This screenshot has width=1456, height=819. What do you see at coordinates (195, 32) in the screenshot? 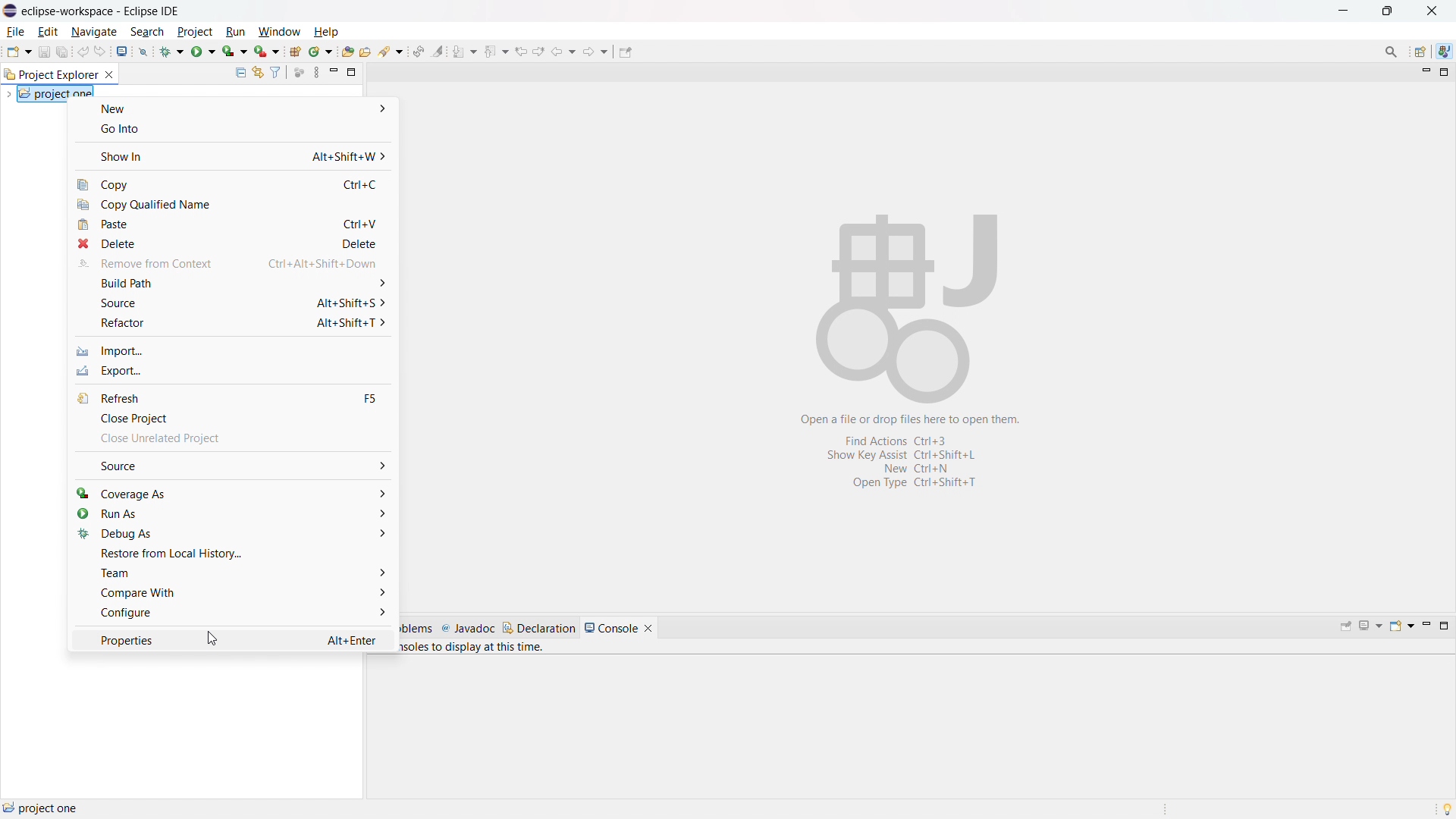
I see `project` at bounding box center [195, 32].